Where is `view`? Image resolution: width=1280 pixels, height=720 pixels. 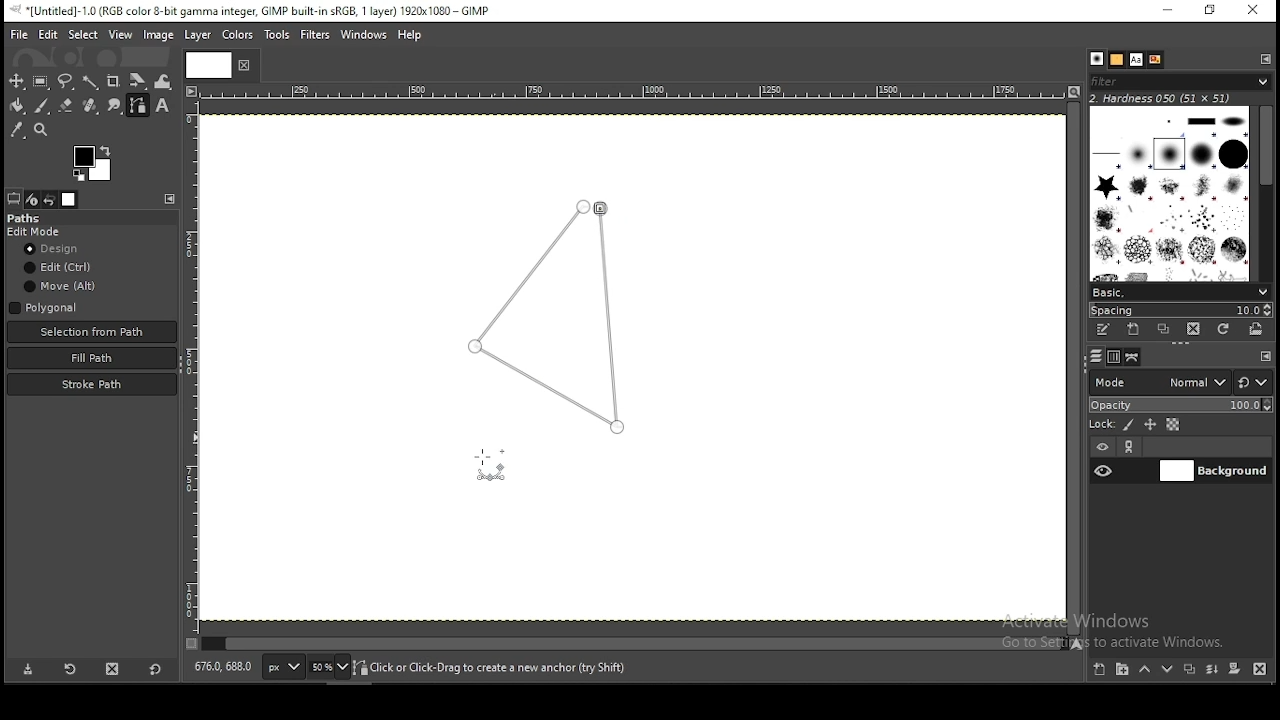
view is located at coordinates (121, 33).